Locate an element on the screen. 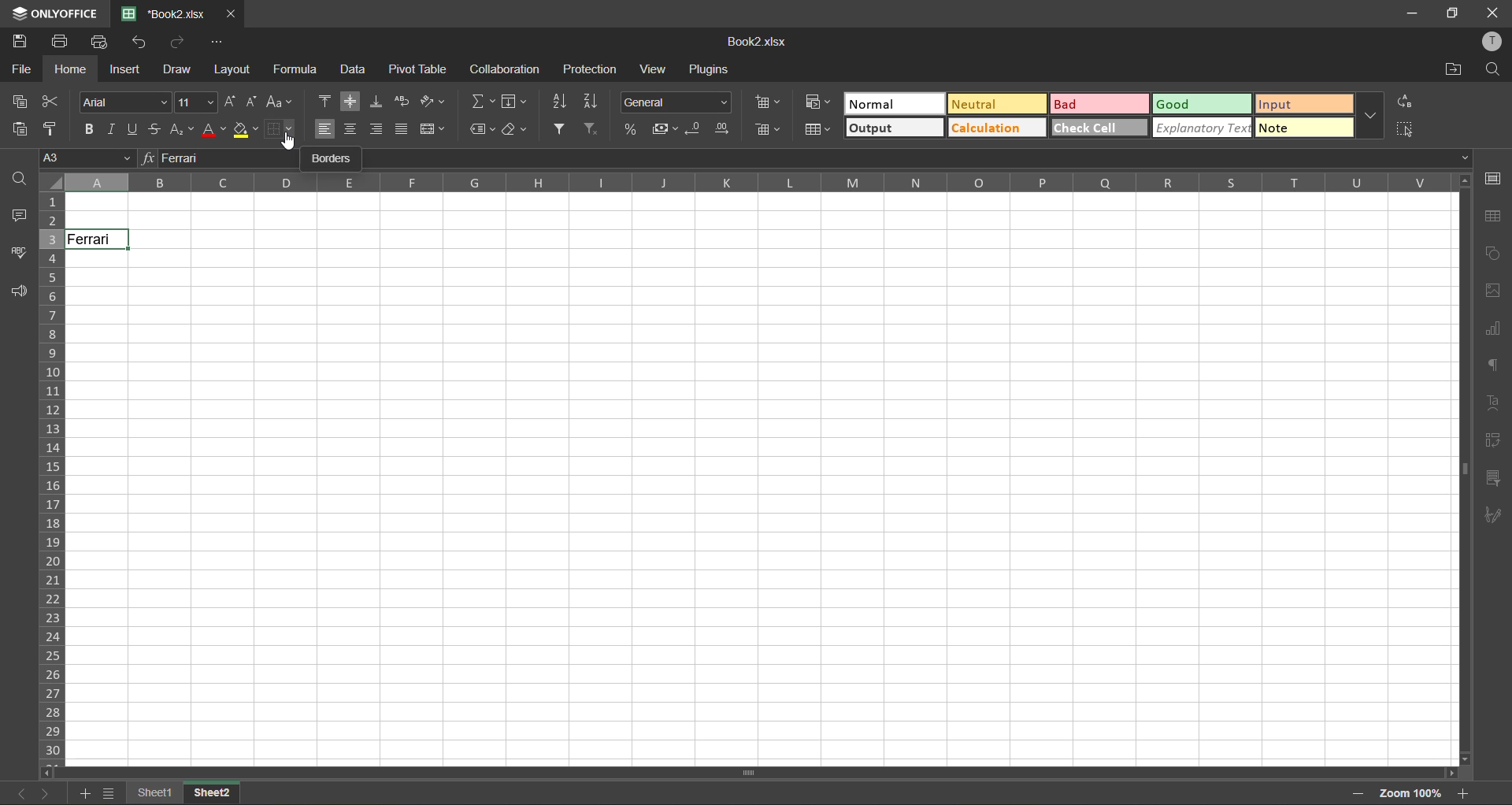  increase decimal is located at coordinates (720, 128).